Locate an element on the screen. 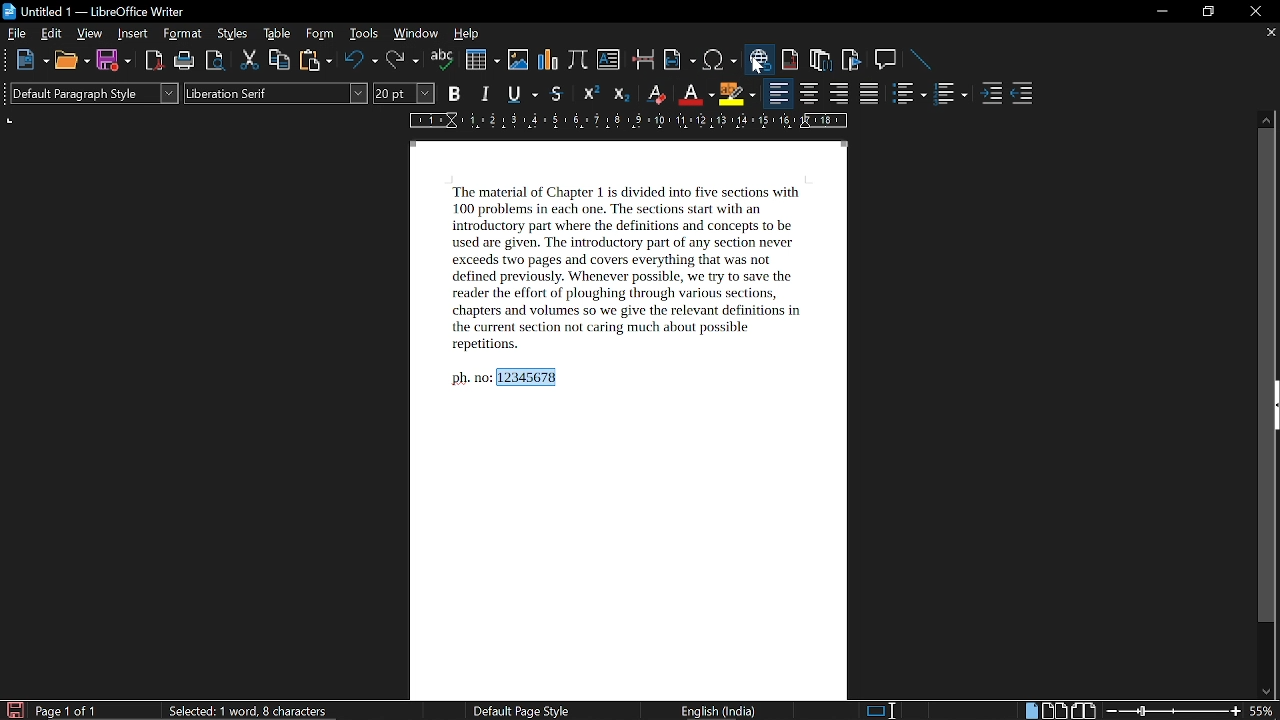 The image size is (1280, 720). open is located at coordinates (72, 60).